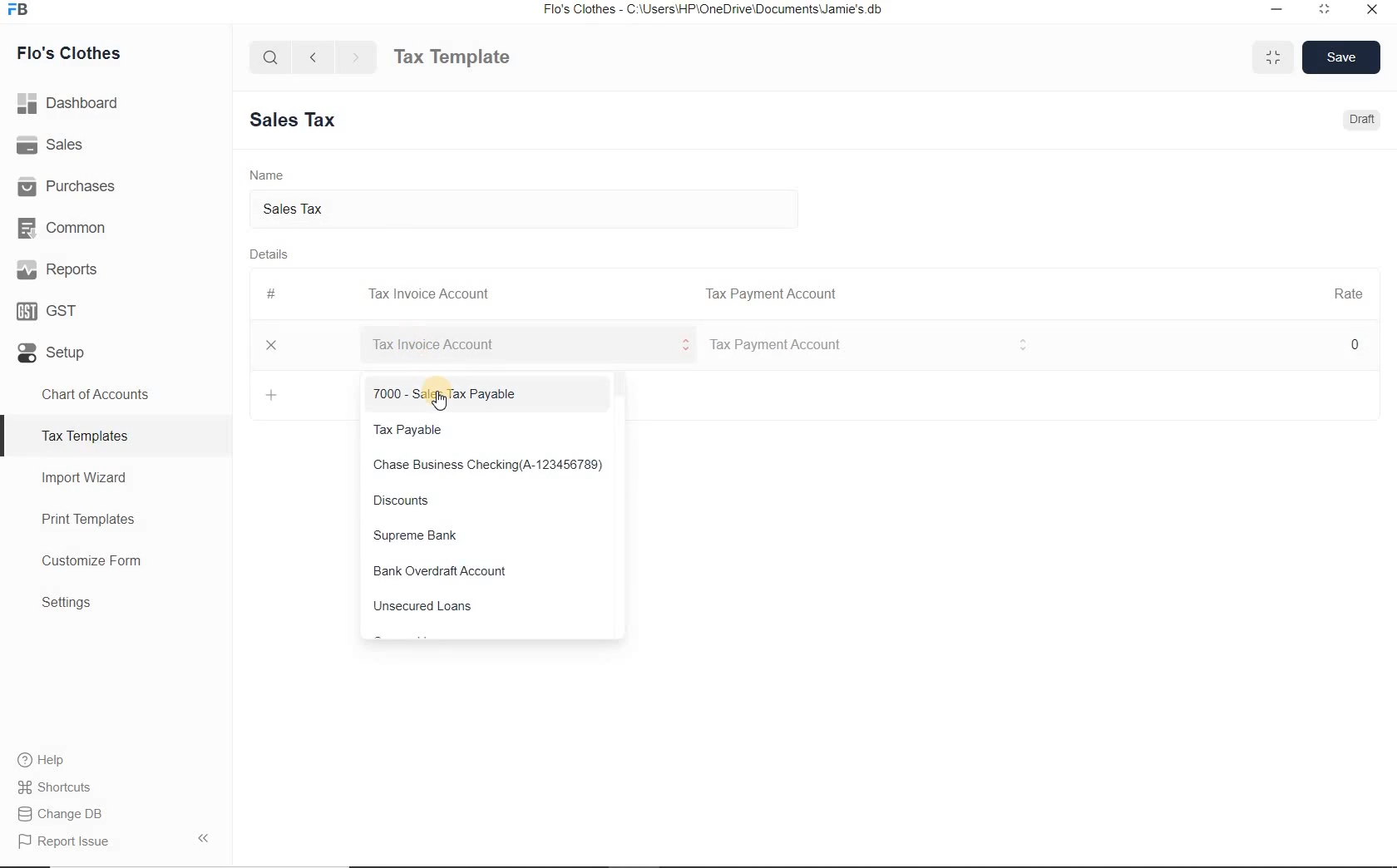 The width and height of the screenshot is (1397, 868). Describe the element at coordinates (115, 394) in the screenshot. I see `Chart of Accounts` at that location.